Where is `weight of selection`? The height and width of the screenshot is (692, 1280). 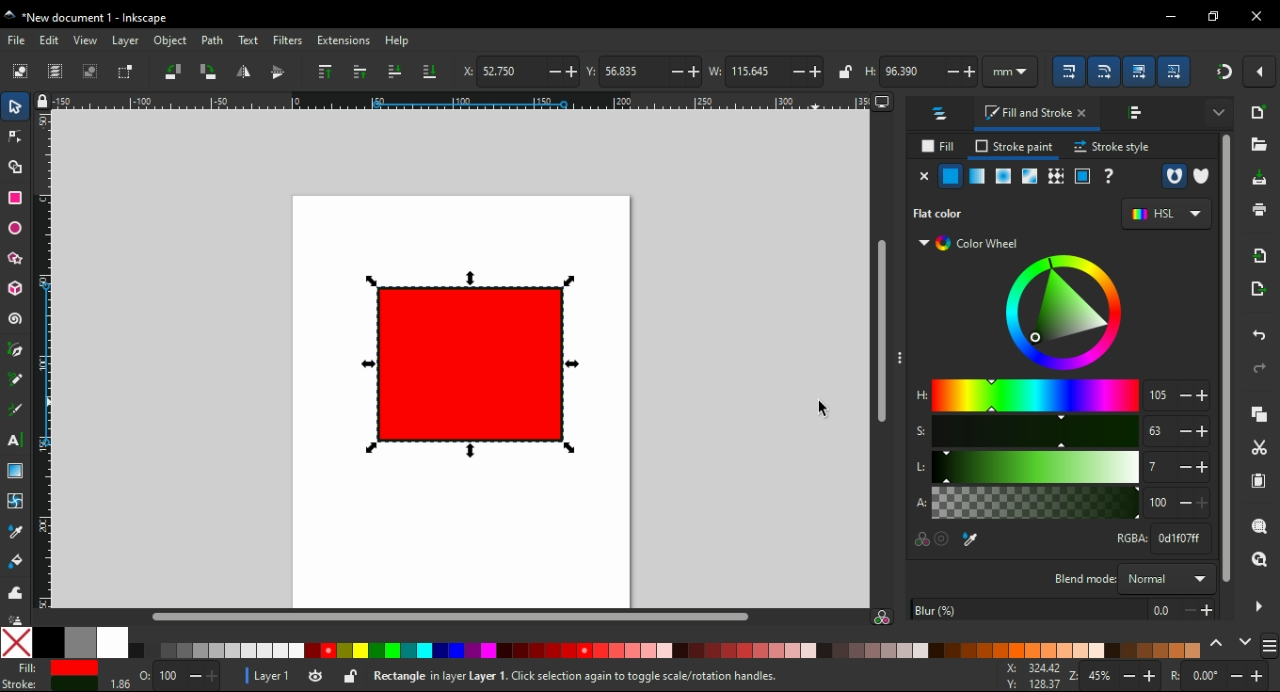
weight of selection is located at coordinates (714, 71).